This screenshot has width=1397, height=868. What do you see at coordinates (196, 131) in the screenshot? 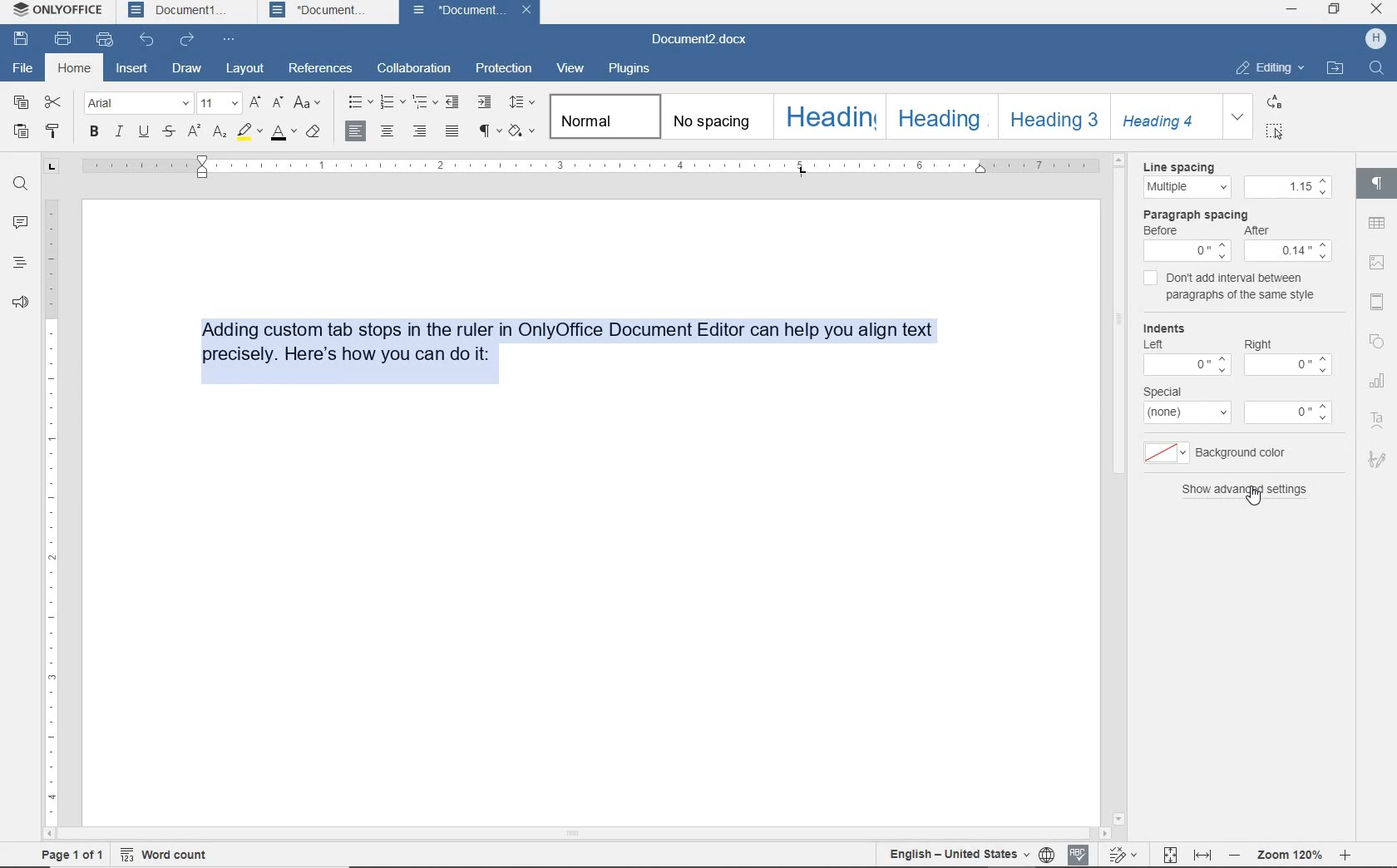
I see `superscript` at bounding box center [196, 131].